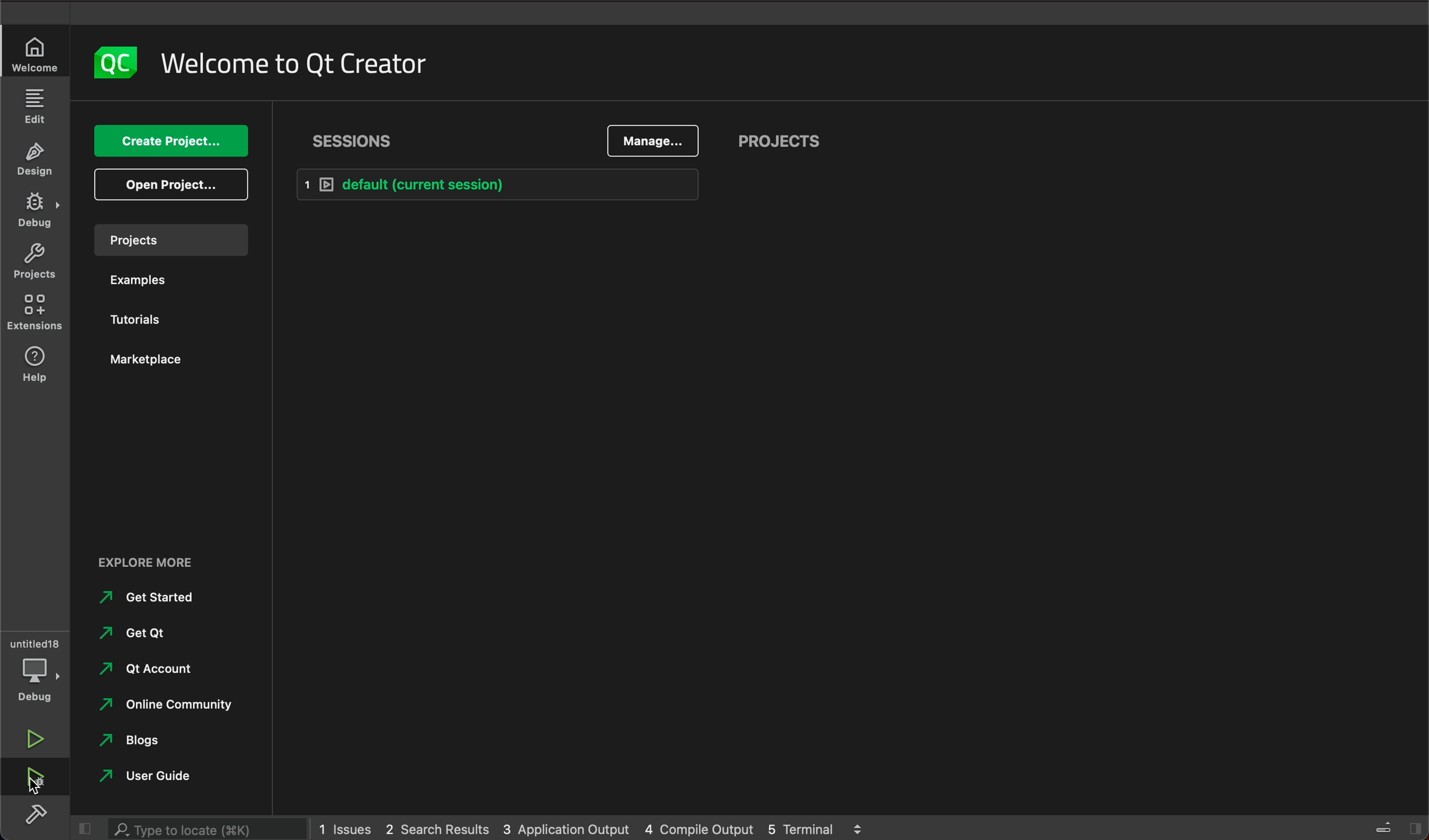 The width and height of the screenshot is (1429, 840). I want to click on default session, so click(501, 185).